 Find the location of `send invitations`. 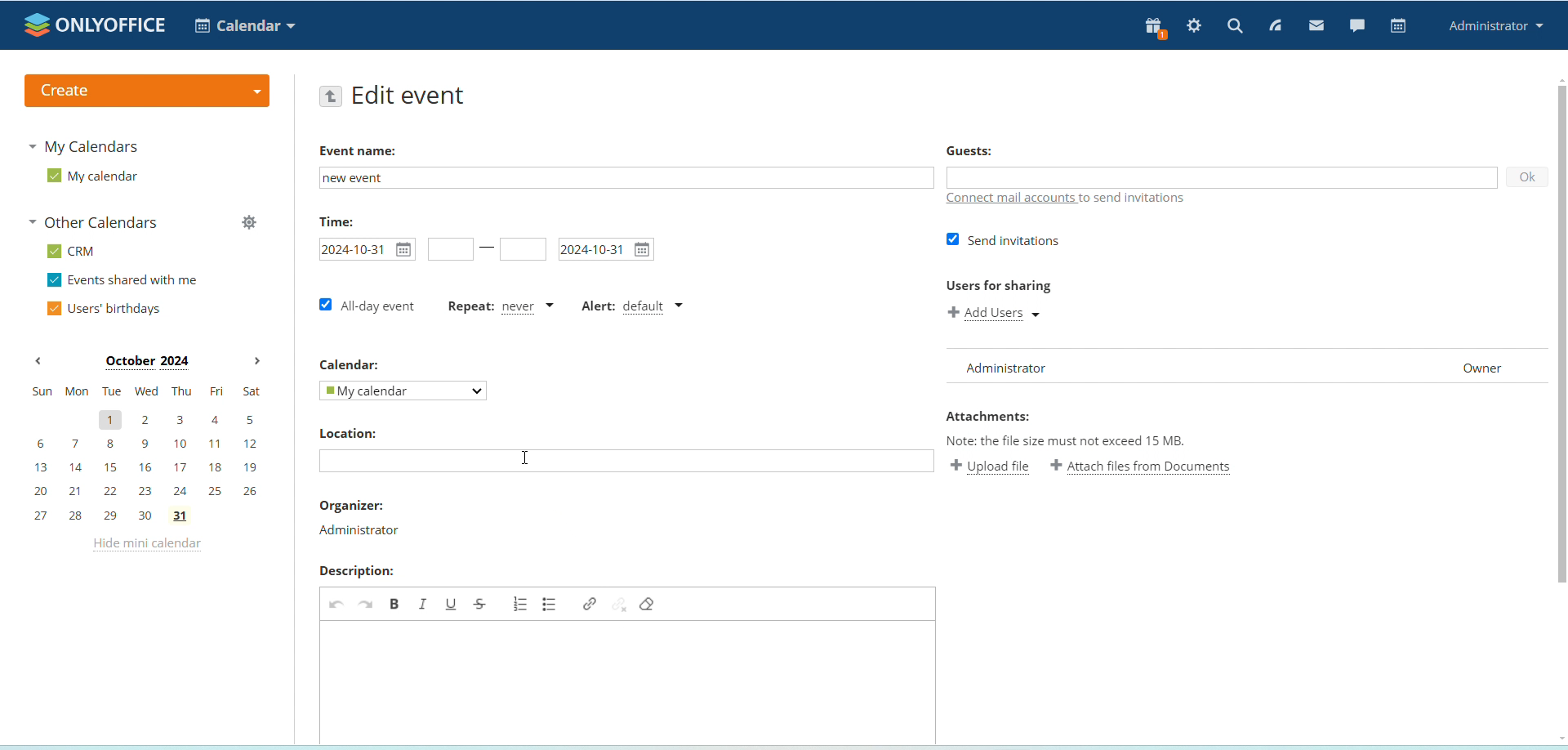

send invitations is located at coordinates (1003, 241).